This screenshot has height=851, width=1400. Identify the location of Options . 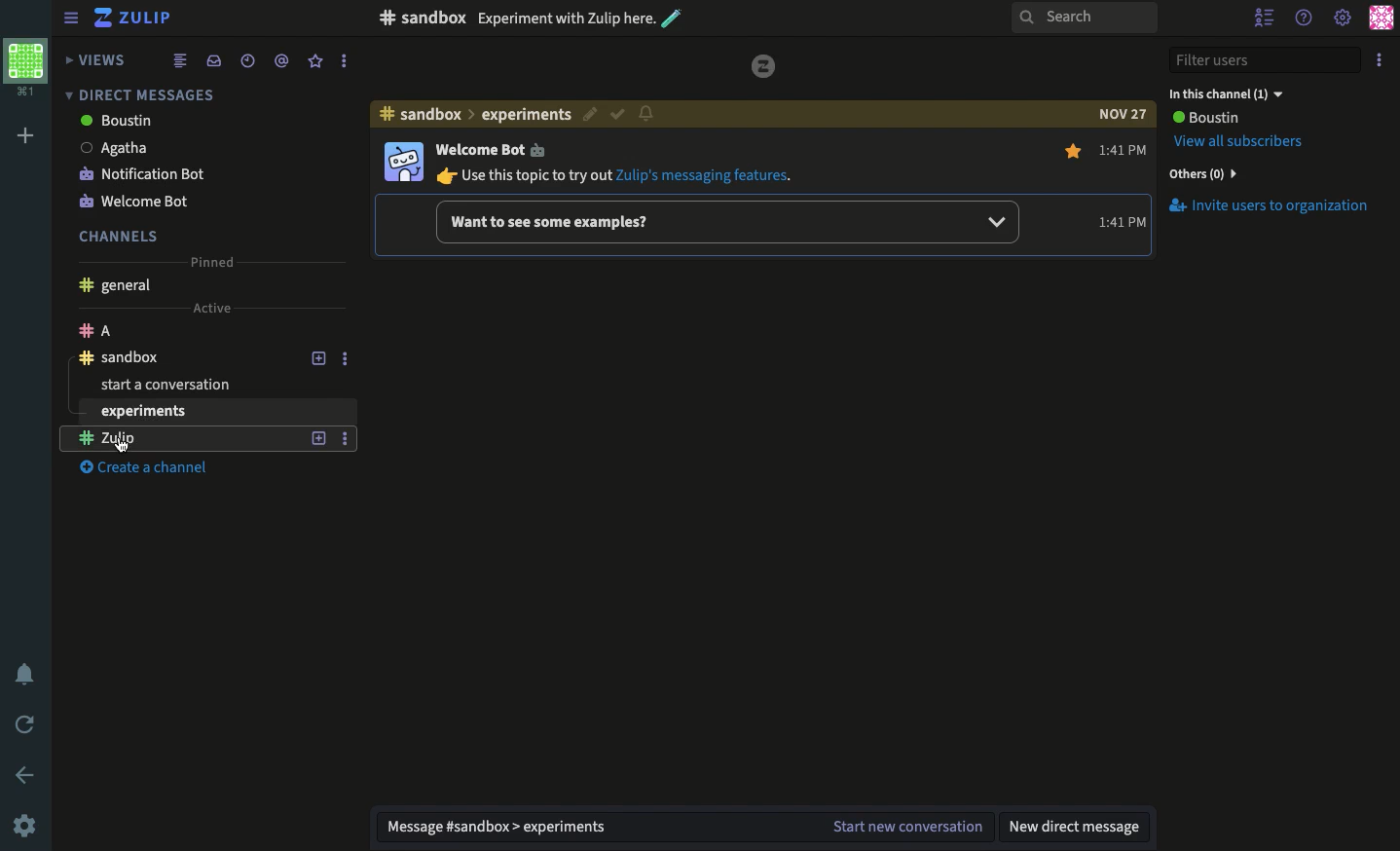
(1382, 56).